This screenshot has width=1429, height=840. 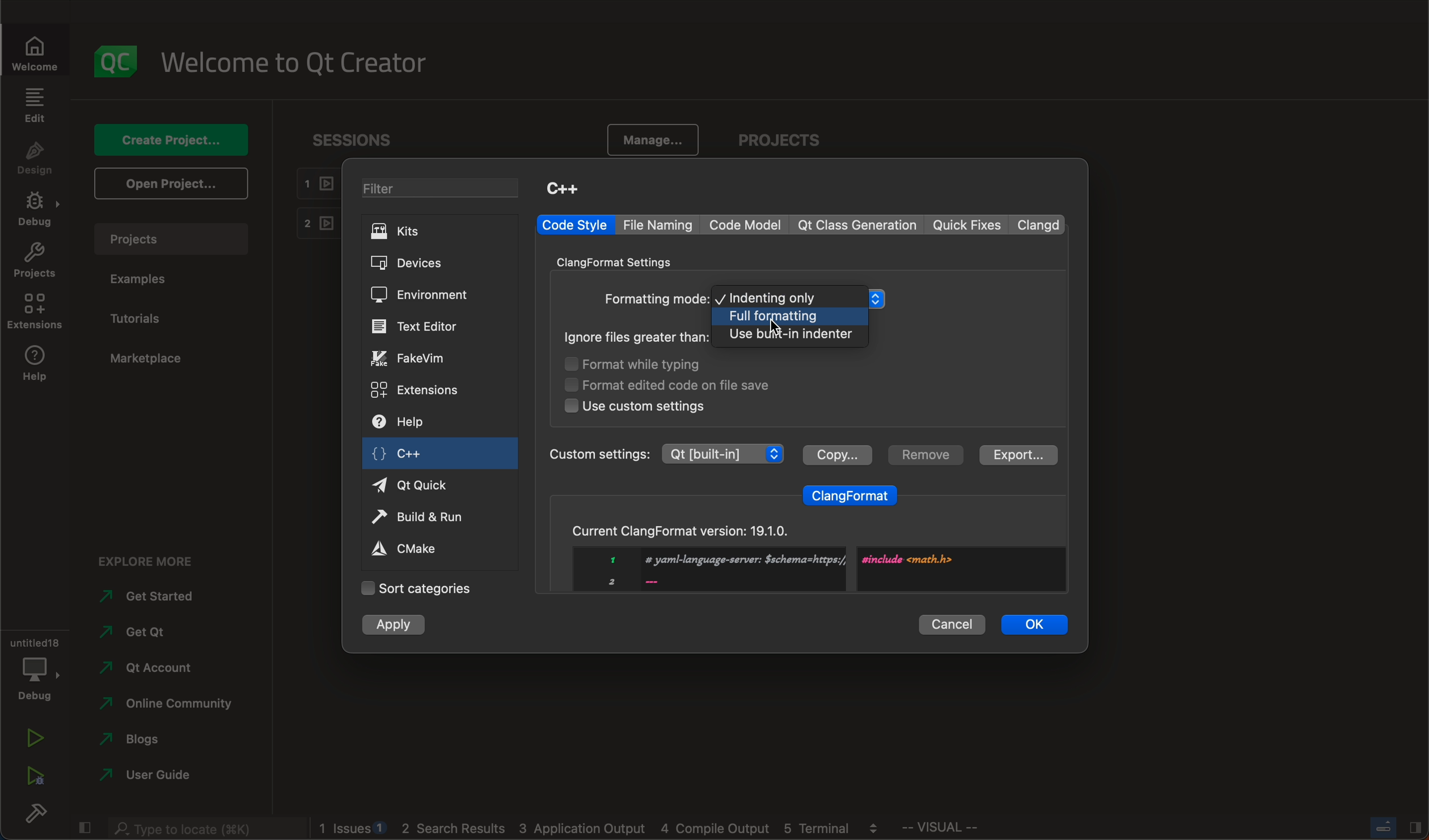 I want to click on categories, so click(x=416, y=588).